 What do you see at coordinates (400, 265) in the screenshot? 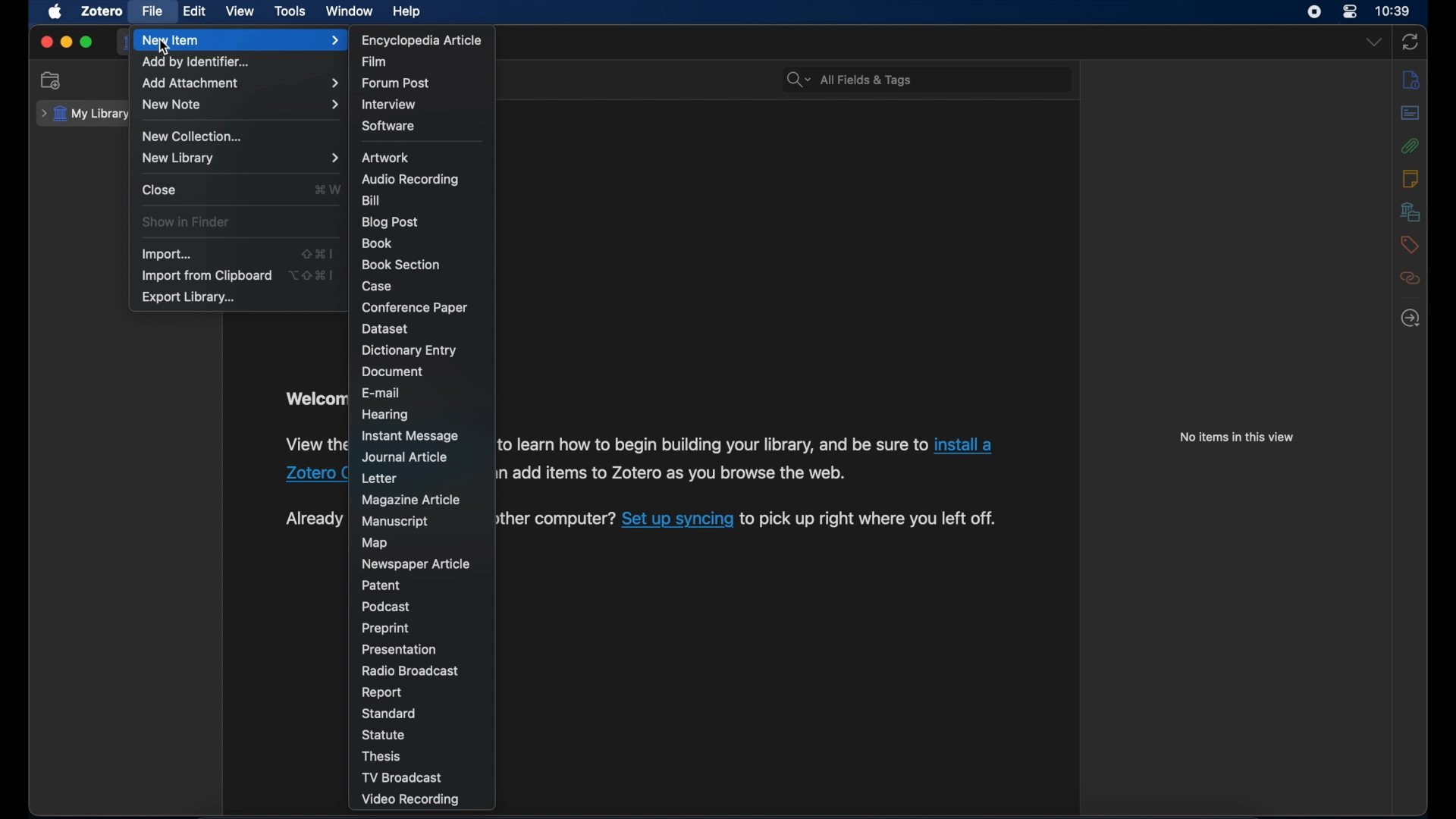
I see `book section` at bounding box center [400, 265].